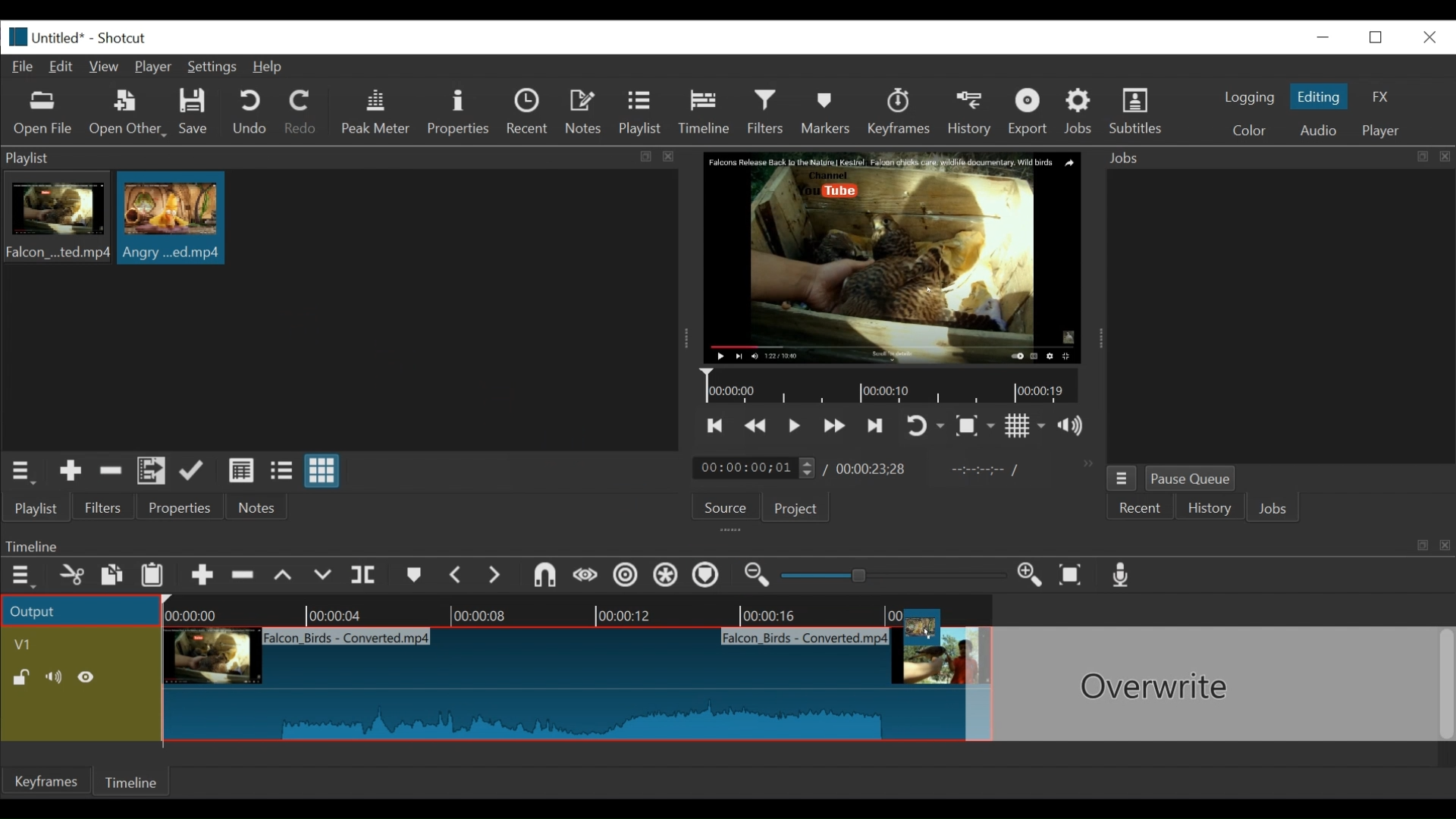 This screenshot has width=1456, height=819. I want to click on Save, so click(194, 114).